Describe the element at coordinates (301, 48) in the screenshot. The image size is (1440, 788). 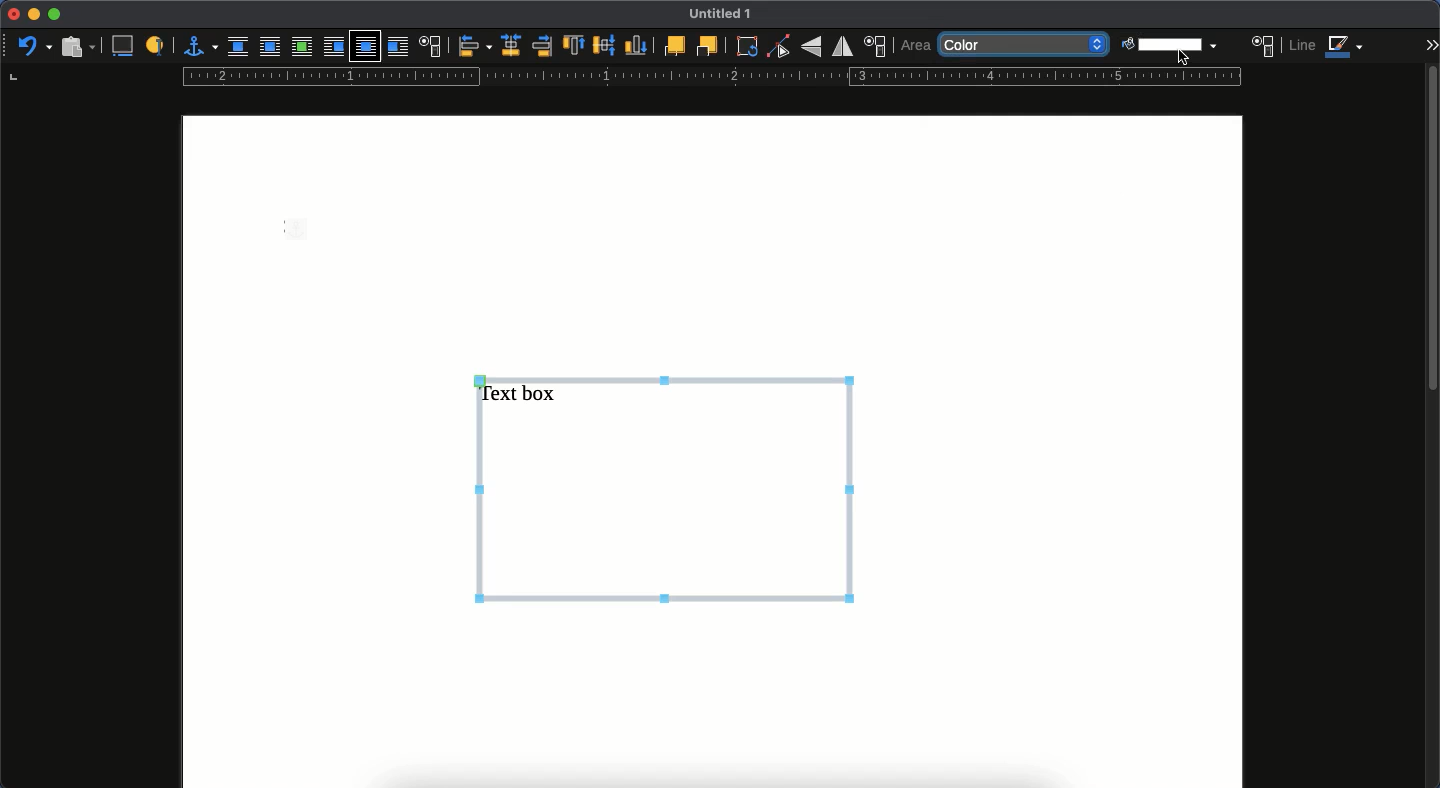
I see `optimal` at that location.